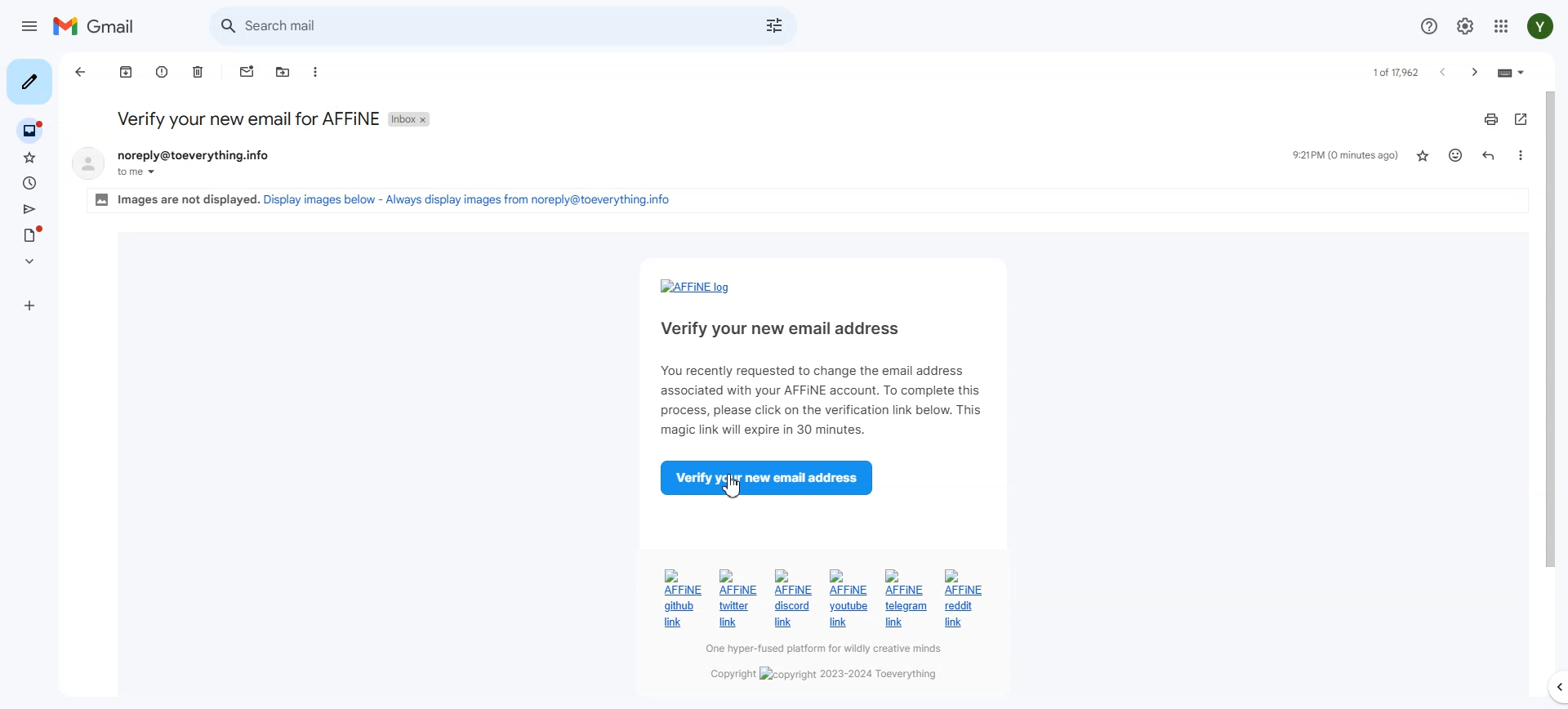  Describe the element at coordinates (1428, 26) in the screenshot. I see `Support` at that location.